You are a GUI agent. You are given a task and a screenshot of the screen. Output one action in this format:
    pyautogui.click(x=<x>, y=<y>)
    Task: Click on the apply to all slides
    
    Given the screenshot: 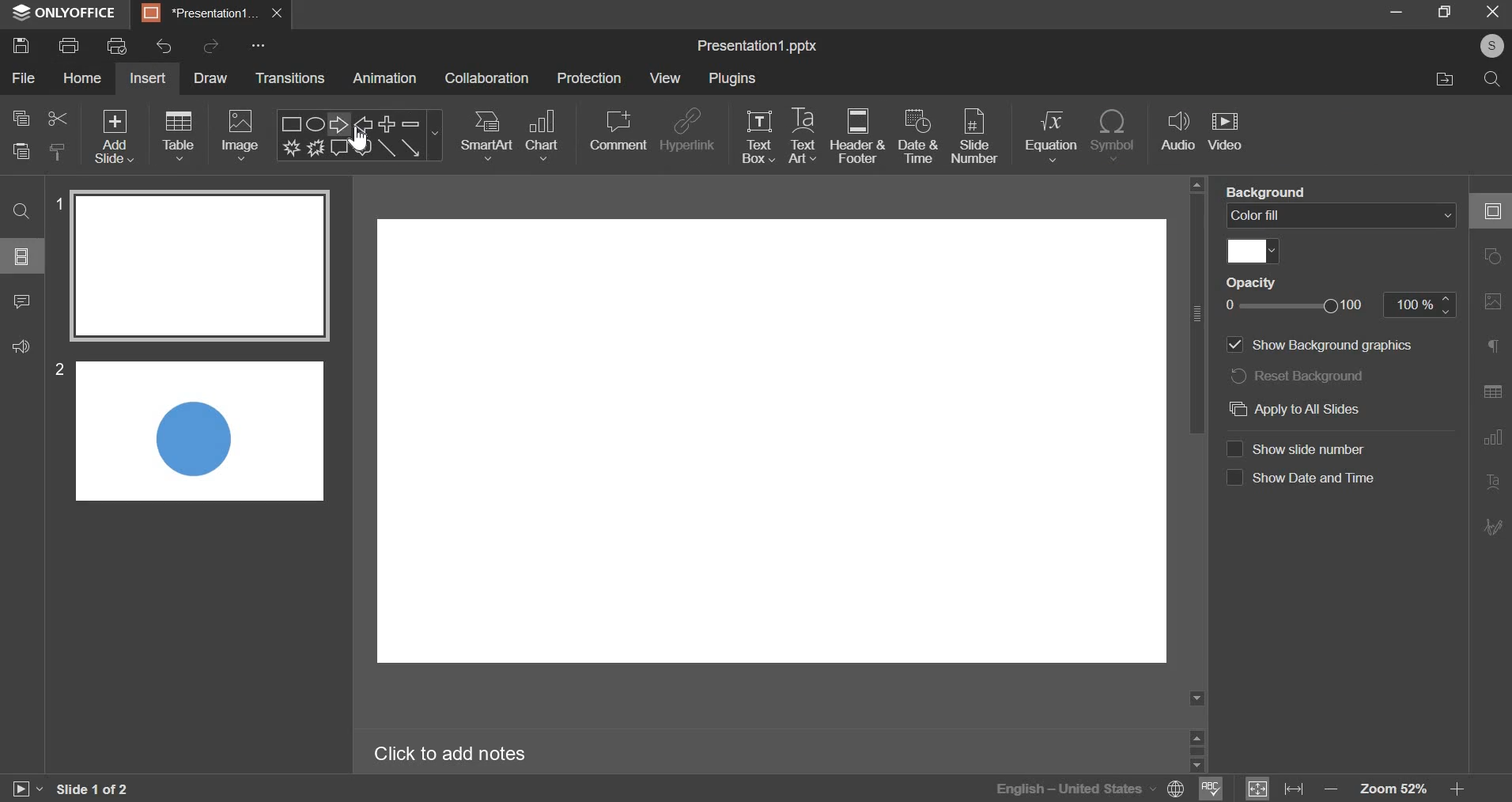 What is the action you would take?
    pyautogui.click(x=1295, y=409)
    